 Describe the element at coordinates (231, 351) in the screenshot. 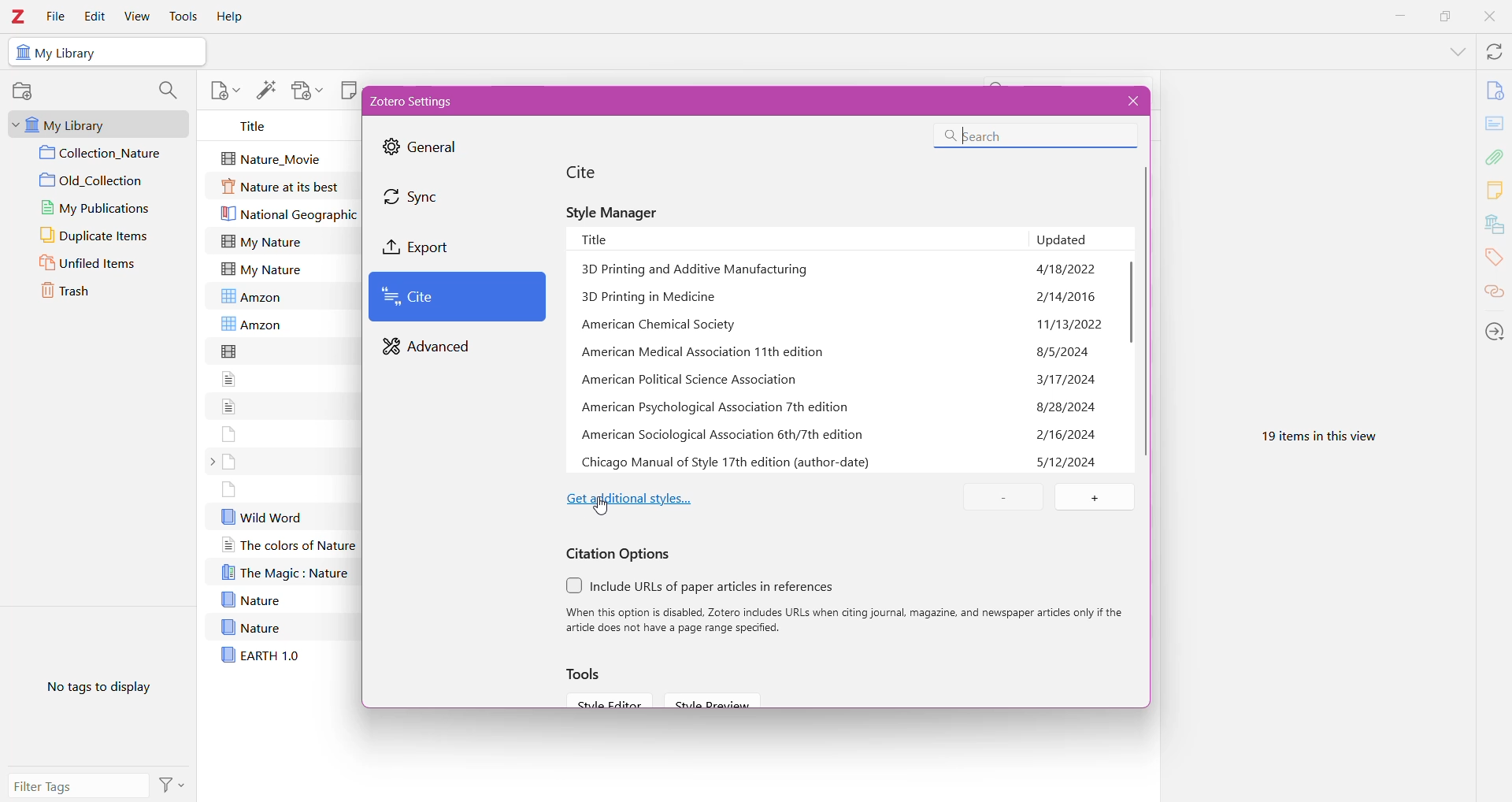

I see `file without title` at that location.